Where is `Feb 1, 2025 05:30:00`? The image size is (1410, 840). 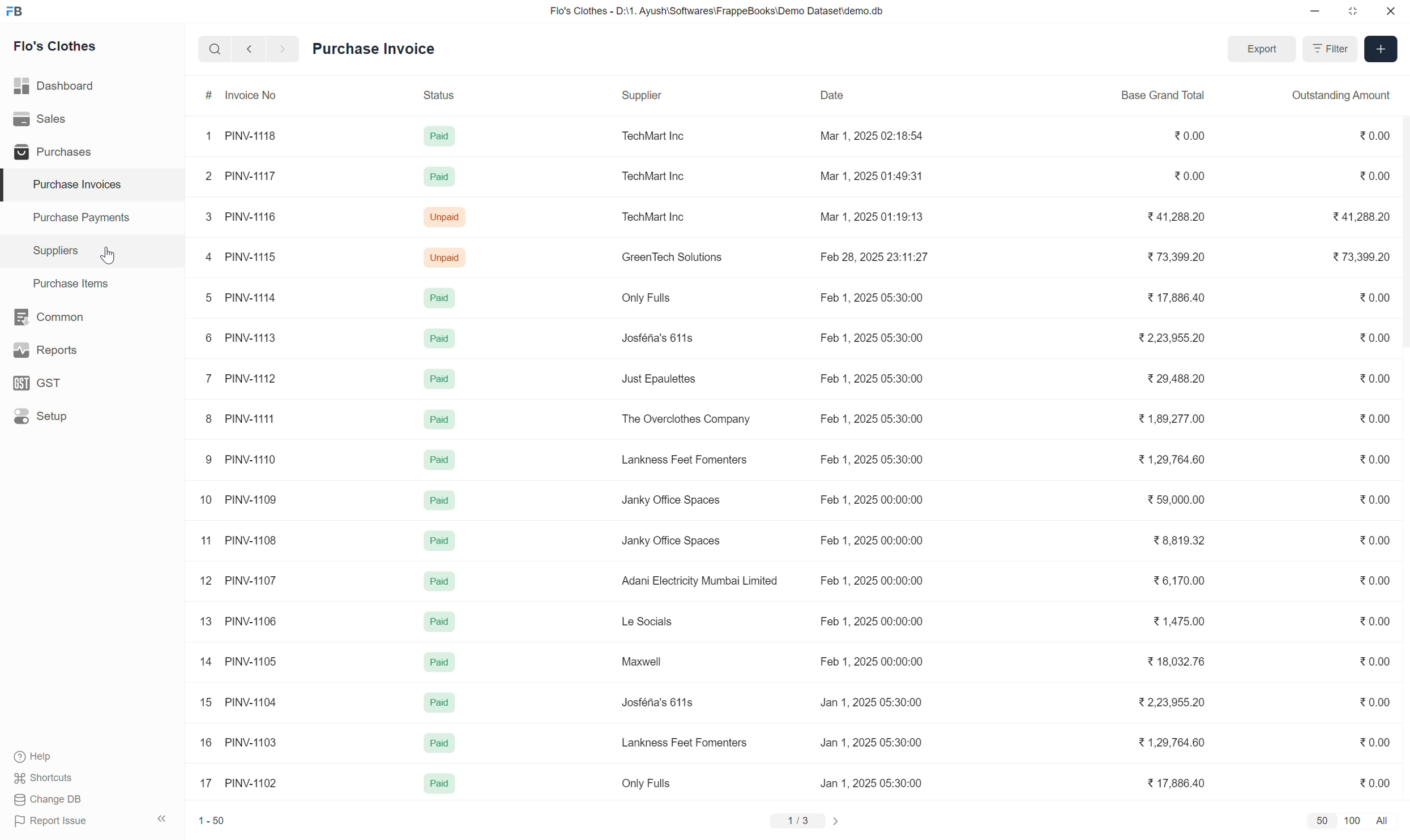
Feb 1, 2025 05:30:00 is located at coordinates (872, 457).